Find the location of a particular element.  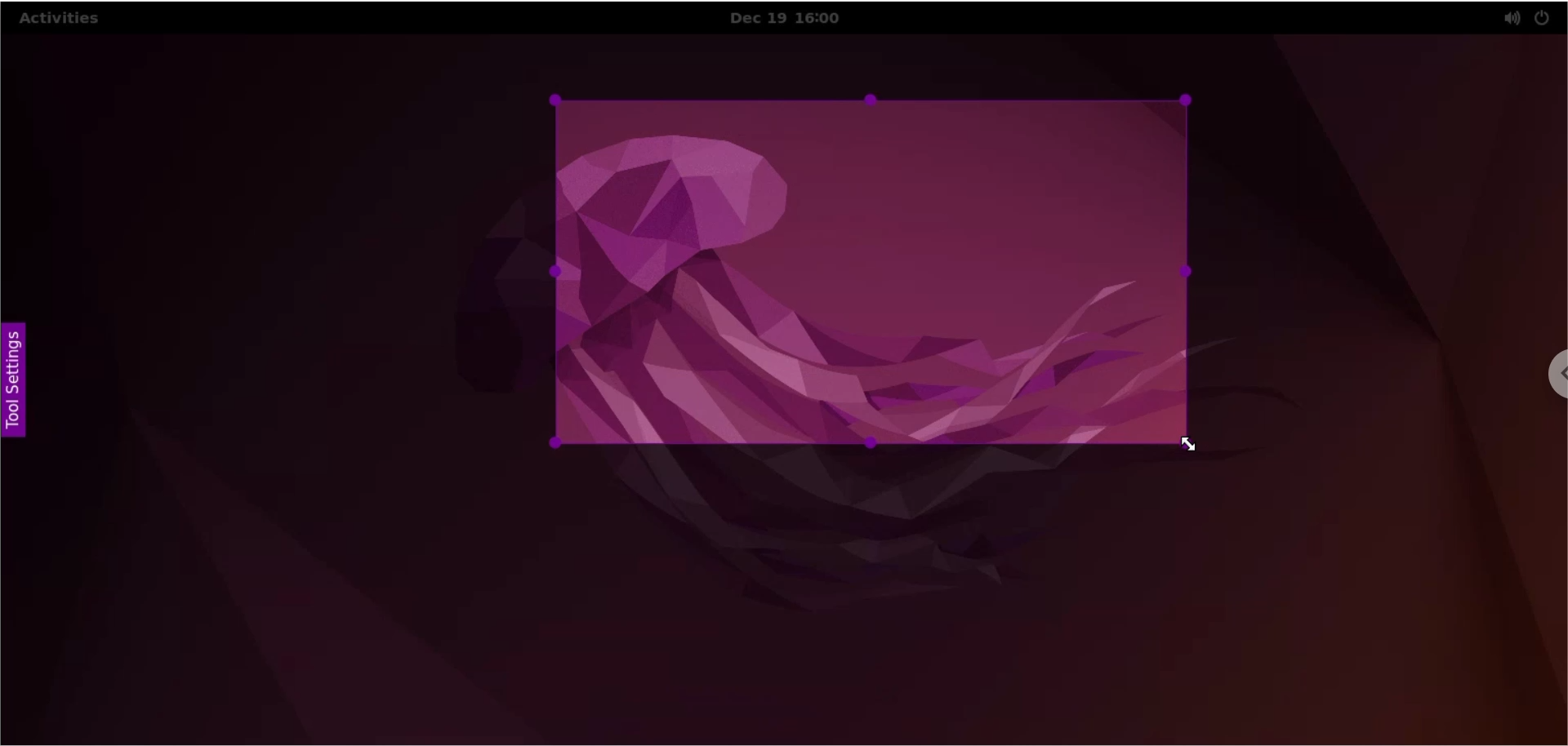

chrome options is located at coordinates (1540, 383).